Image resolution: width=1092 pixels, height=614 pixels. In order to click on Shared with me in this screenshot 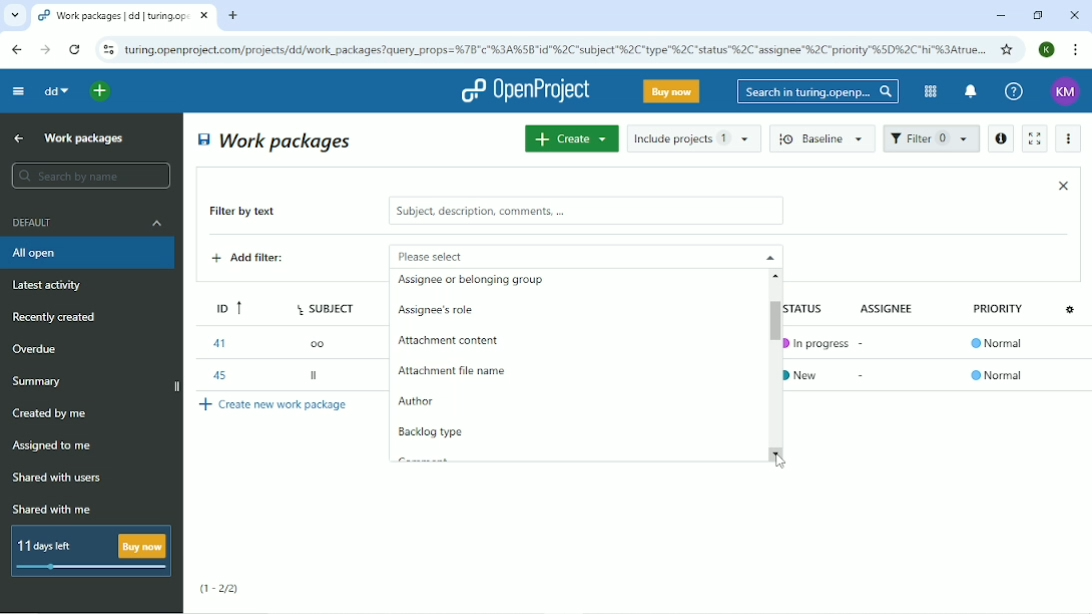, I will do `click(54, 509)`.